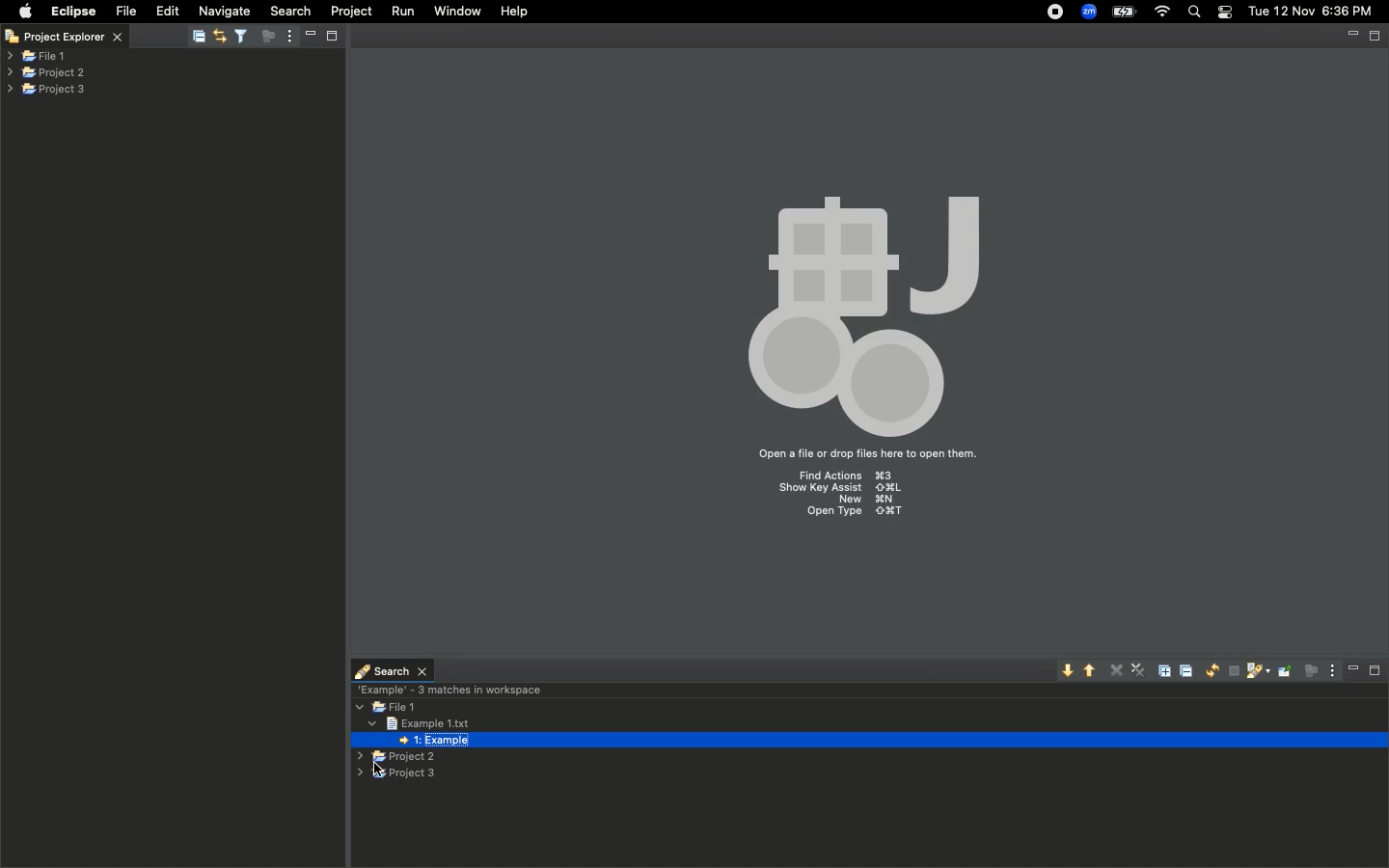 This screenshot has width=1389, height=868. I want to click on Search, so click(288, 11).